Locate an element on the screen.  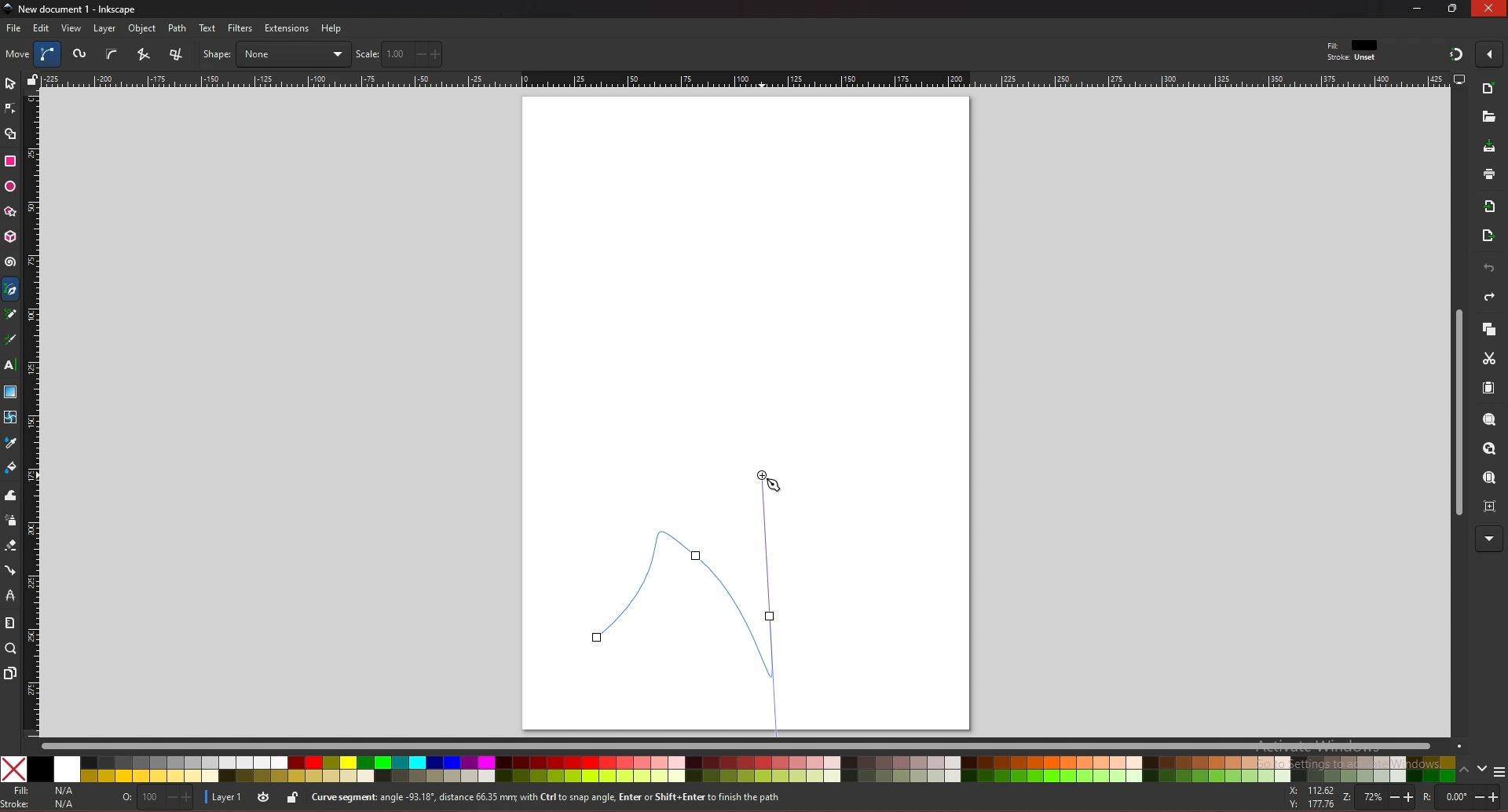
scroll bar is located at coordinates (1456, 413).